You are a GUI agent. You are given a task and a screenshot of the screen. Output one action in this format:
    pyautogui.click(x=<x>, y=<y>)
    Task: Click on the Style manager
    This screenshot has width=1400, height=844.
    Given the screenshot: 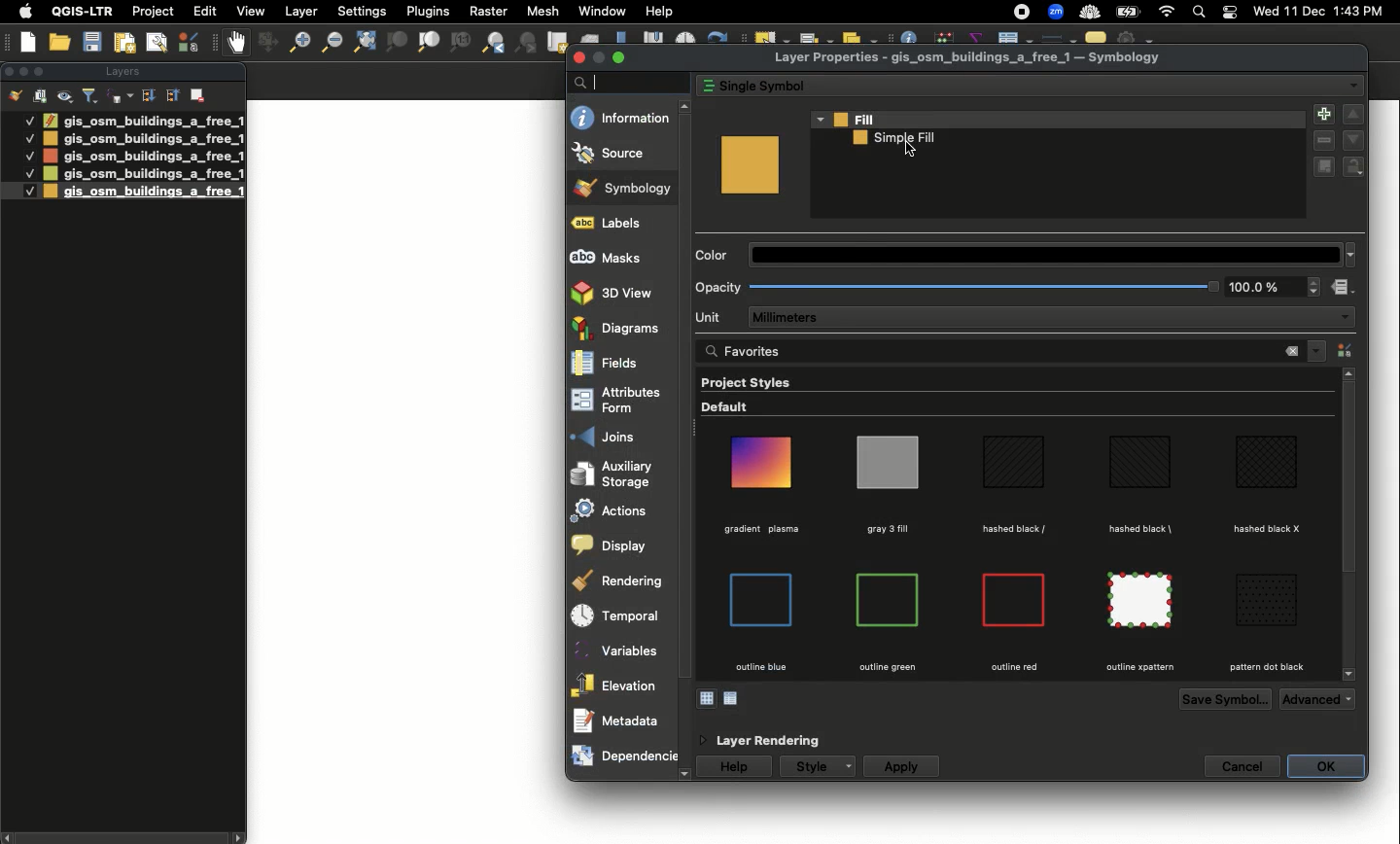 What is the action you would take?
    pyautogui.click(x=265, y=43)
    